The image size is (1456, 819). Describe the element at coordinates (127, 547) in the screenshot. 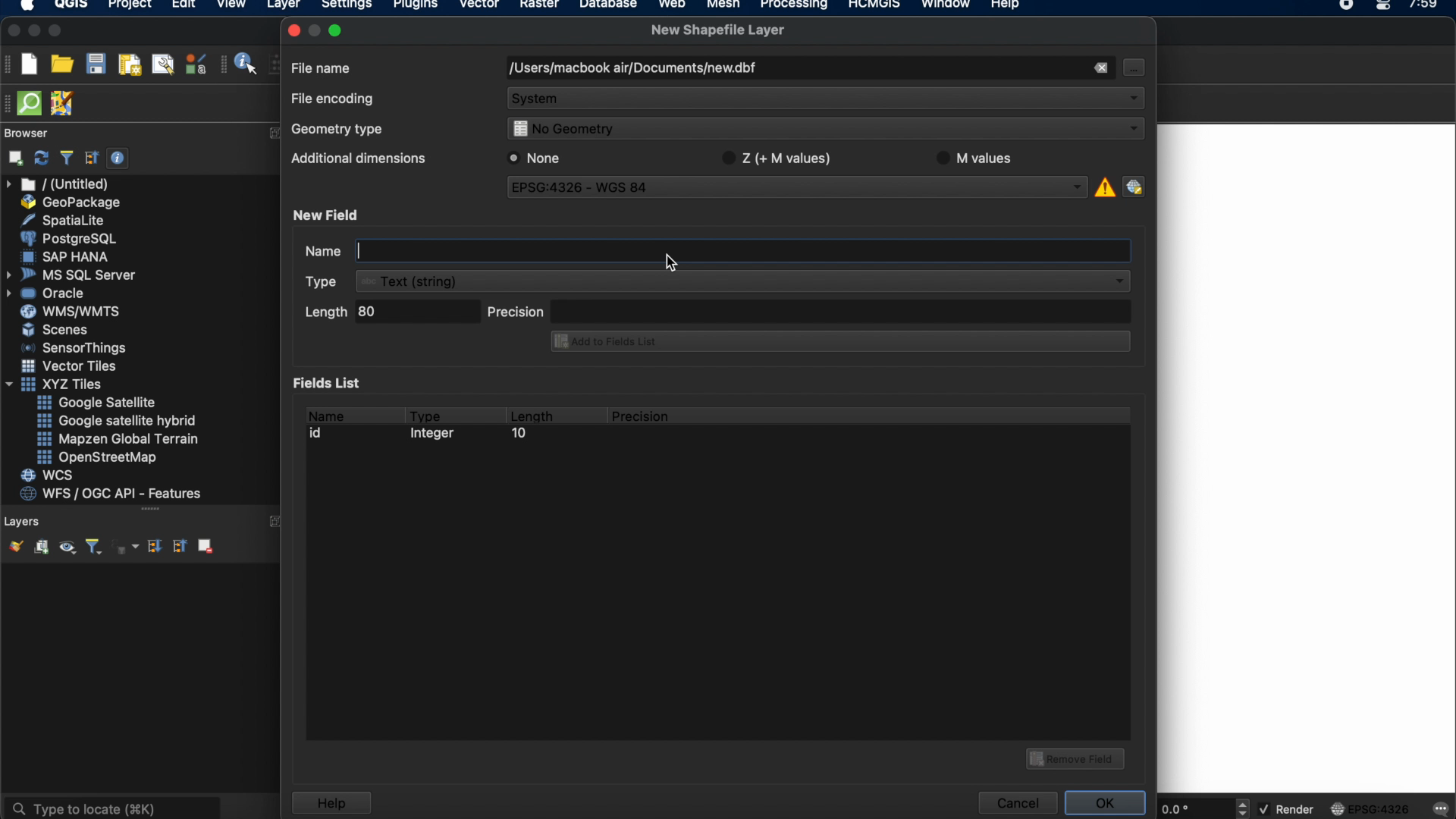

I see `filter legend by expression` at that location.